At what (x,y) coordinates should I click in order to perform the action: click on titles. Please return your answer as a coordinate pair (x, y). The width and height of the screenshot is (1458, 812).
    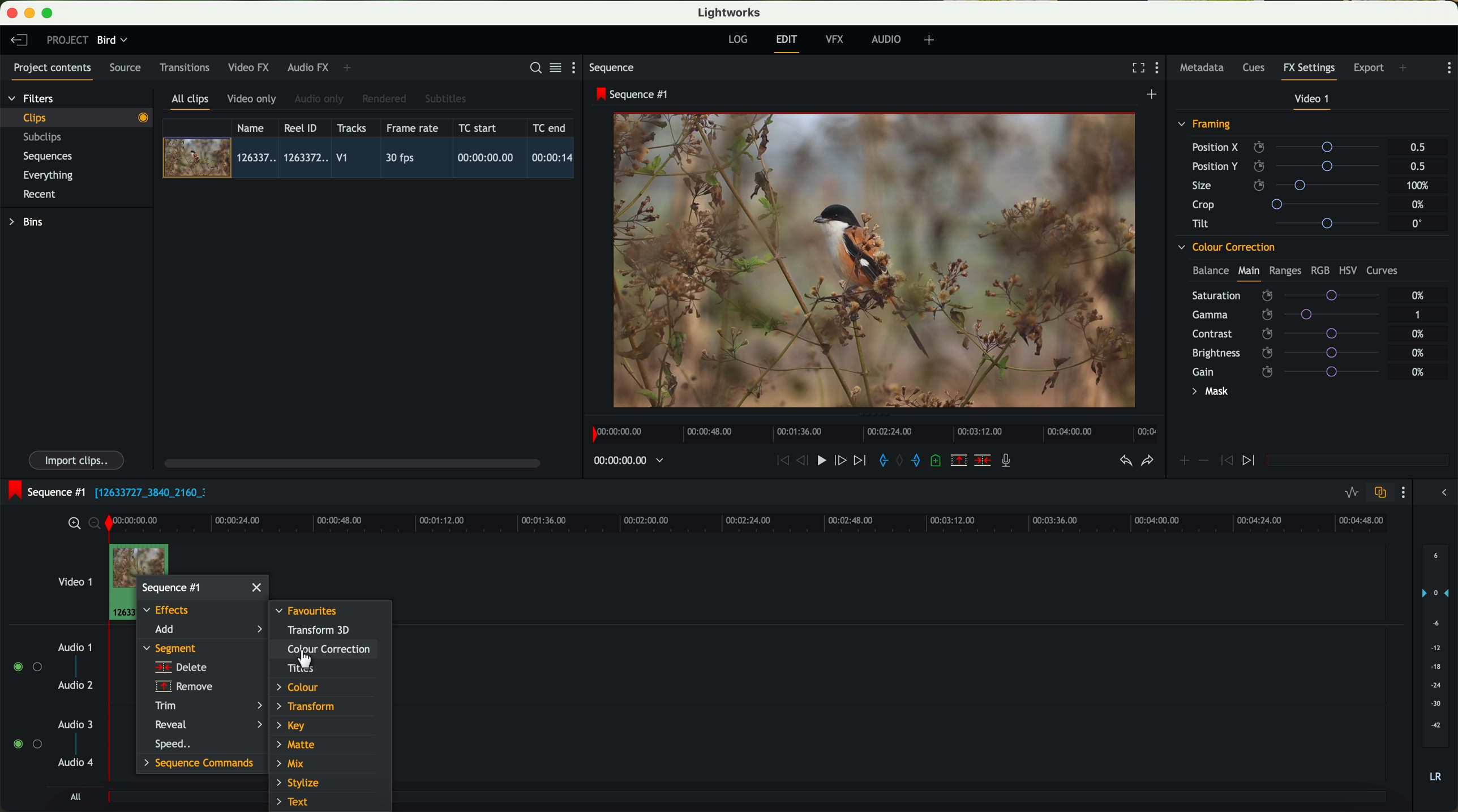
    Looking at the image, I should click on (299, 668).